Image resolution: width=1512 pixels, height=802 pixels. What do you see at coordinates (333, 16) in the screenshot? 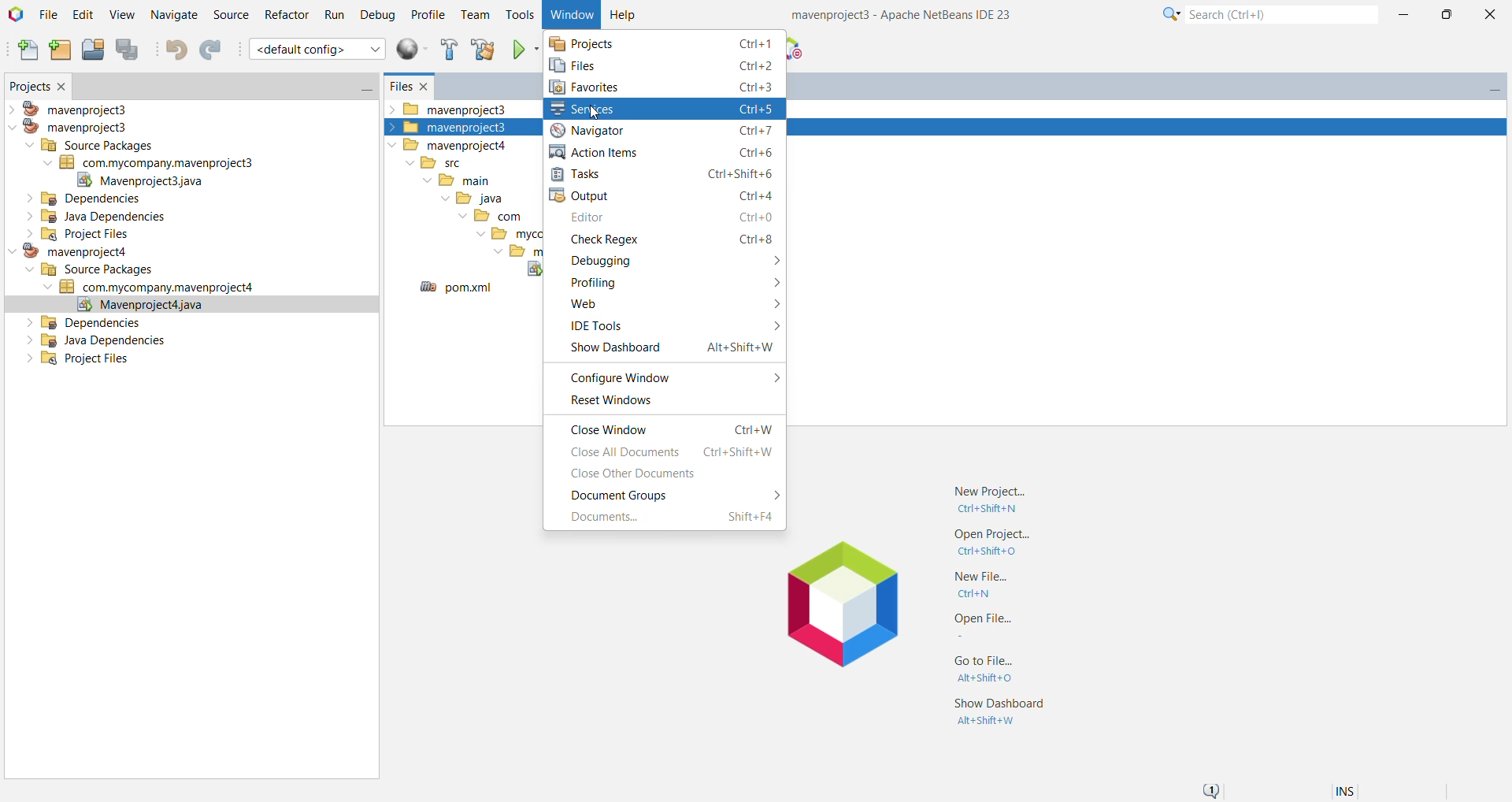
I see `Run` at bounding box center [333, 16].